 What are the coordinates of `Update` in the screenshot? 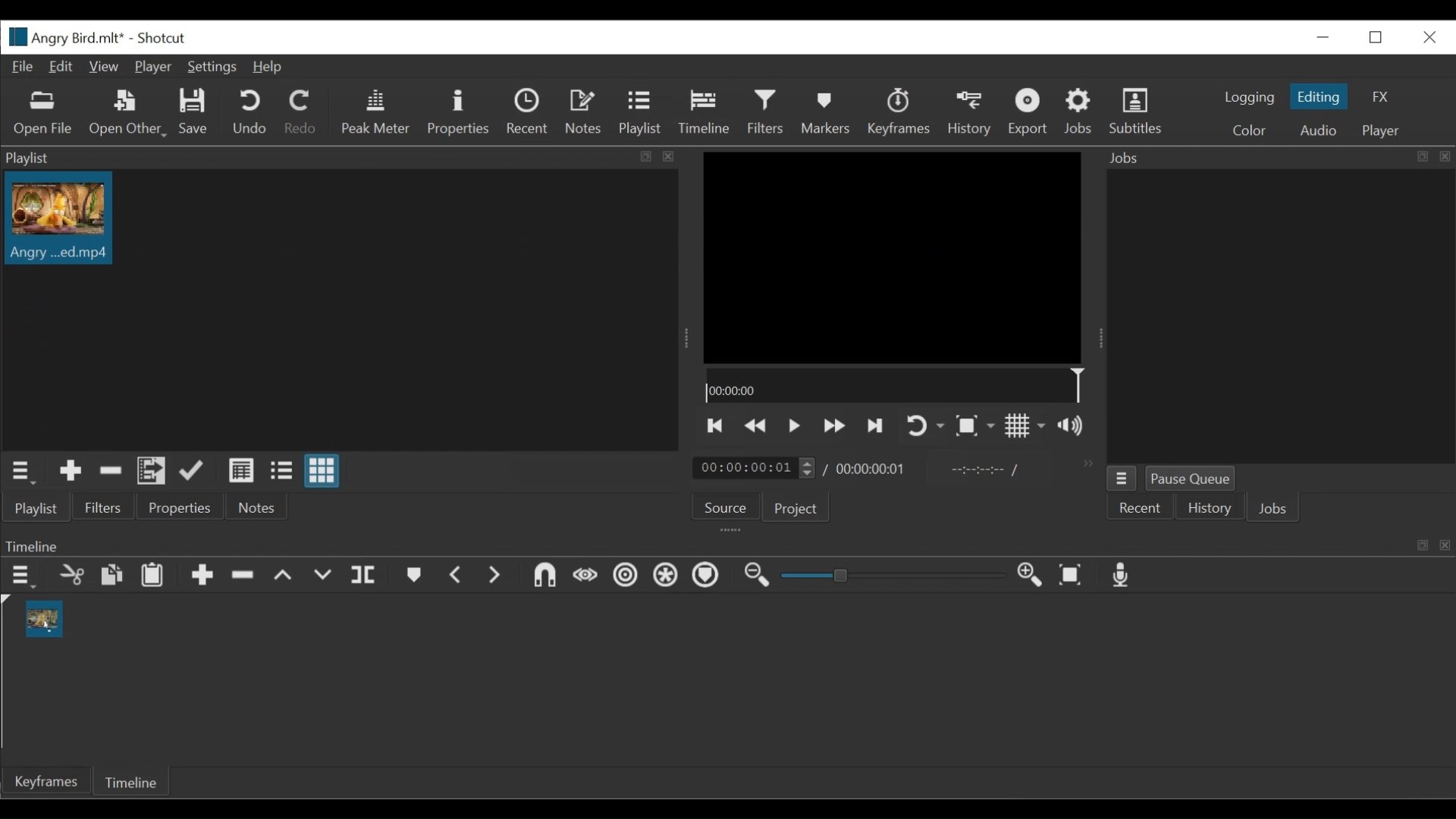 It's located at (194, 472).